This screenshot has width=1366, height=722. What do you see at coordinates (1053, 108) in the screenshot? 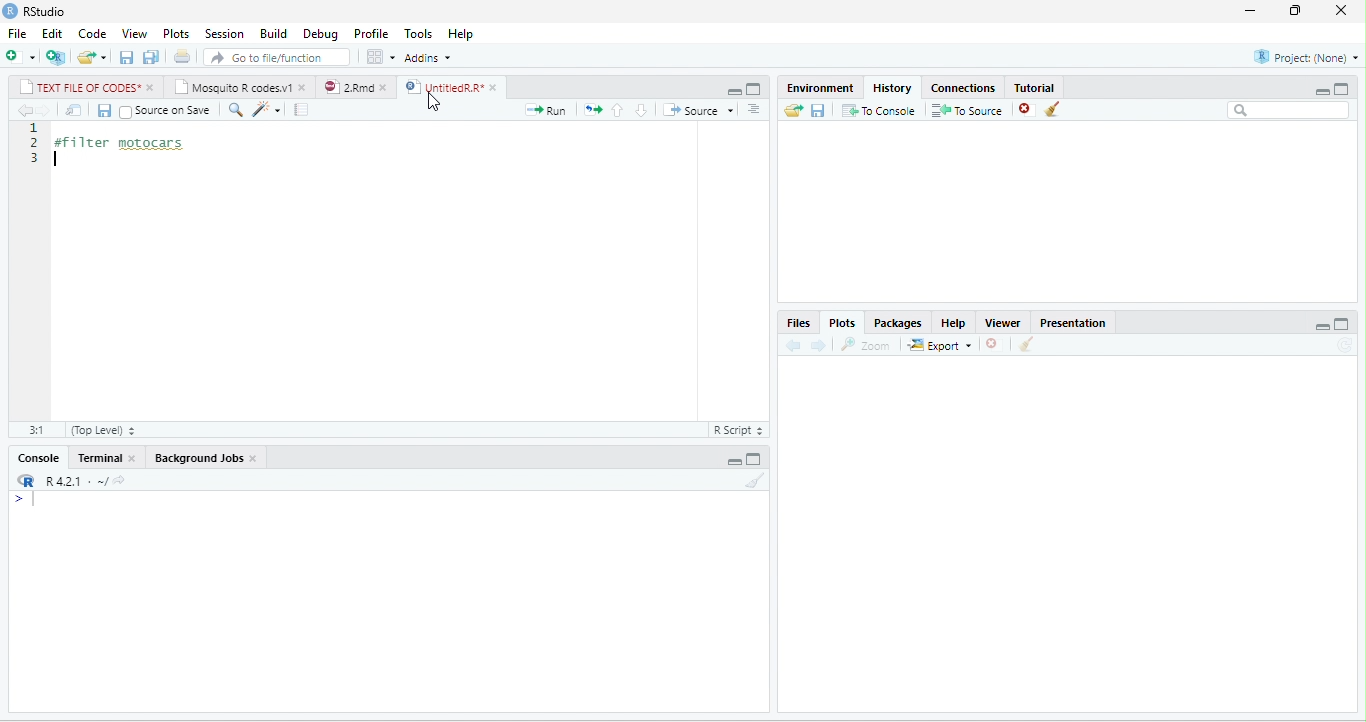
I see `clear` at bounding box center [1053, 108].